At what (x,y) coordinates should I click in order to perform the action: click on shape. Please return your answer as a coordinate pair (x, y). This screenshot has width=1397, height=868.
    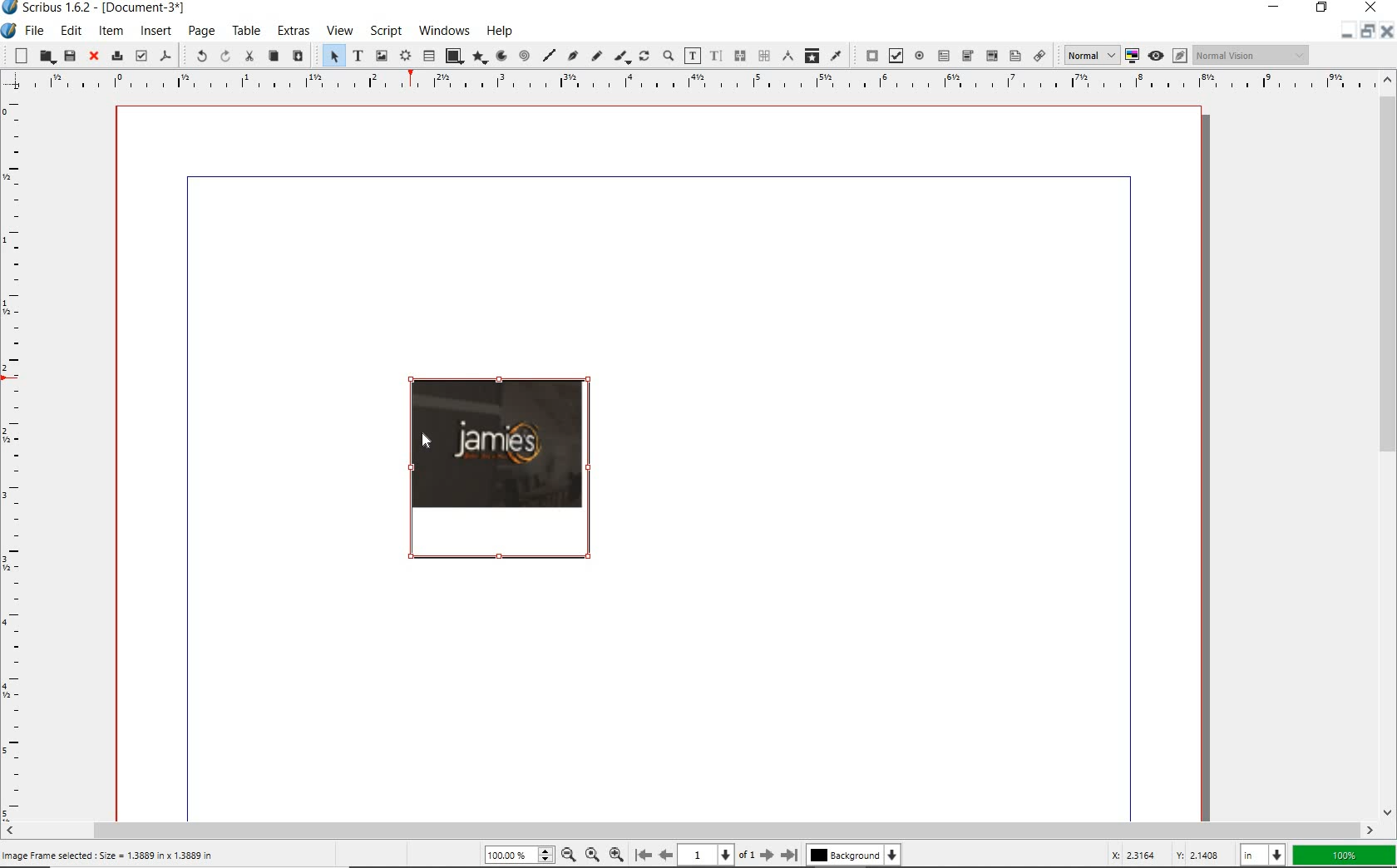
    Looking at the image, I should click on (453, 56).